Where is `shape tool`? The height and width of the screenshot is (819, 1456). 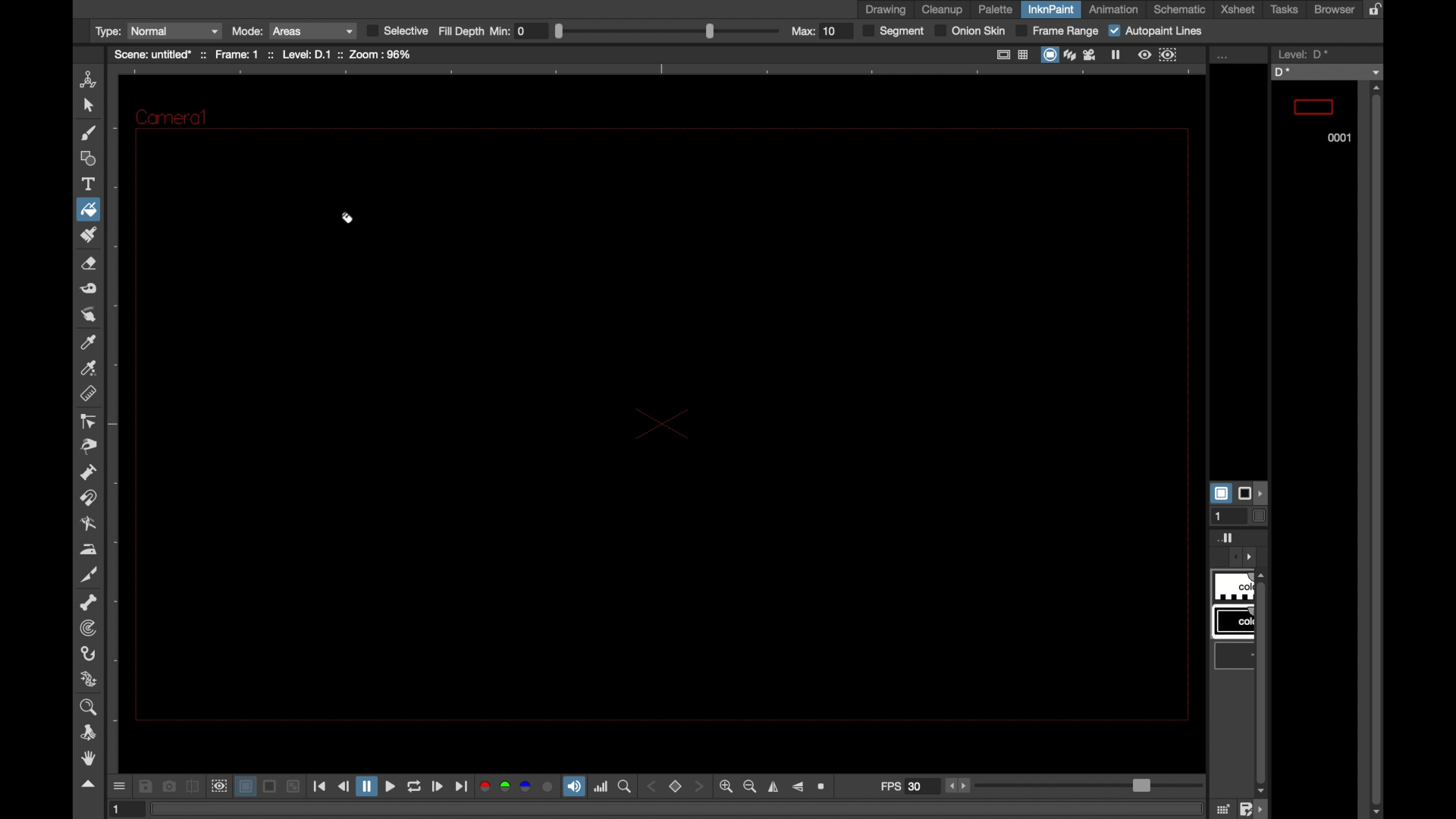 shape tool is located at coordinates (86, 158).